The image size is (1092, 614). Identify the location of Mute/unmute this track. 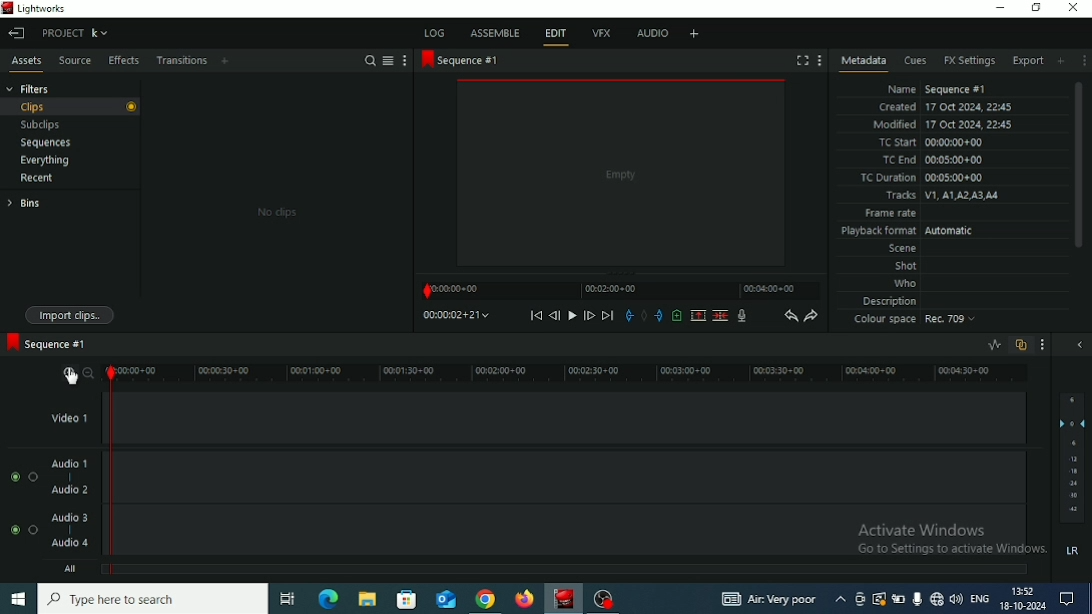
(20, 841).